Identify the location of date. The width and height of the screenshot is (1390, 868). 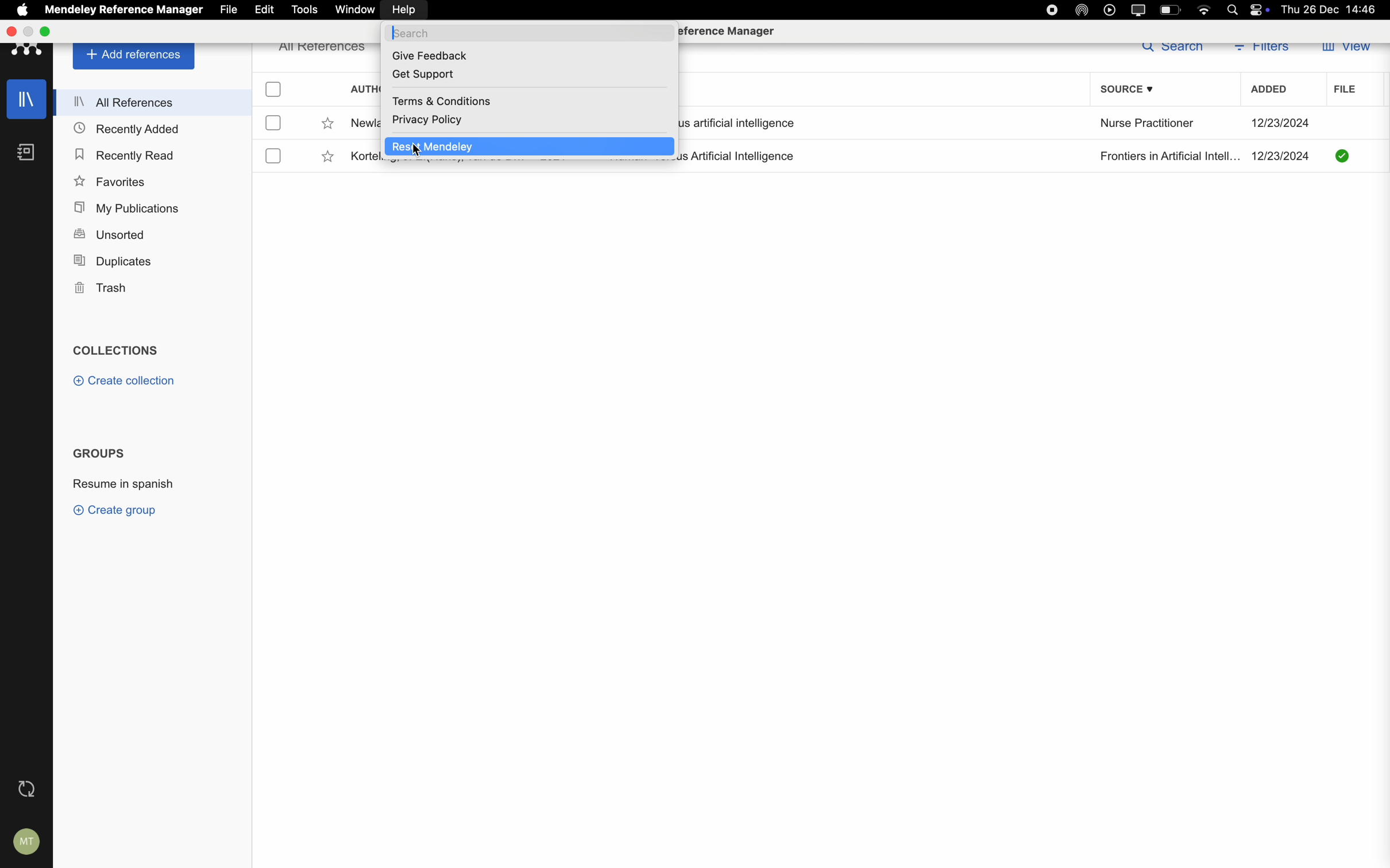
(1284, 123).